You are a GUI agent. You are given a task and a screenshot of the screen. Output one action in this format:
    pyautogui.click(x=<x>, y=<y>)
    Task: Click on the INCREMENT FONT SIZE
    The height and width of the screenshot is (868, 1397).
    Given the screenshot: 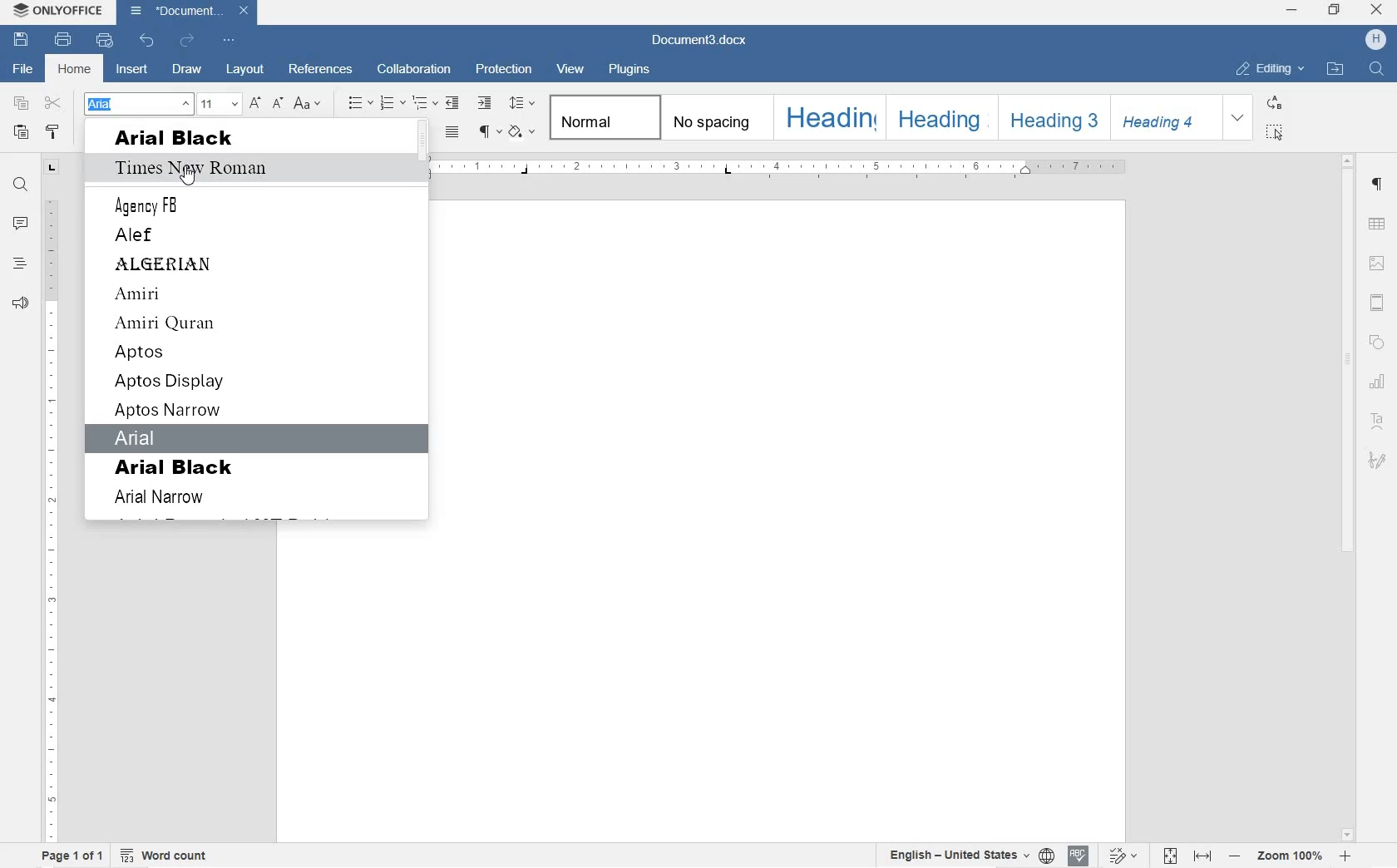 What is the action you would take?
    pyautogui.click(x=256, y=102)
    